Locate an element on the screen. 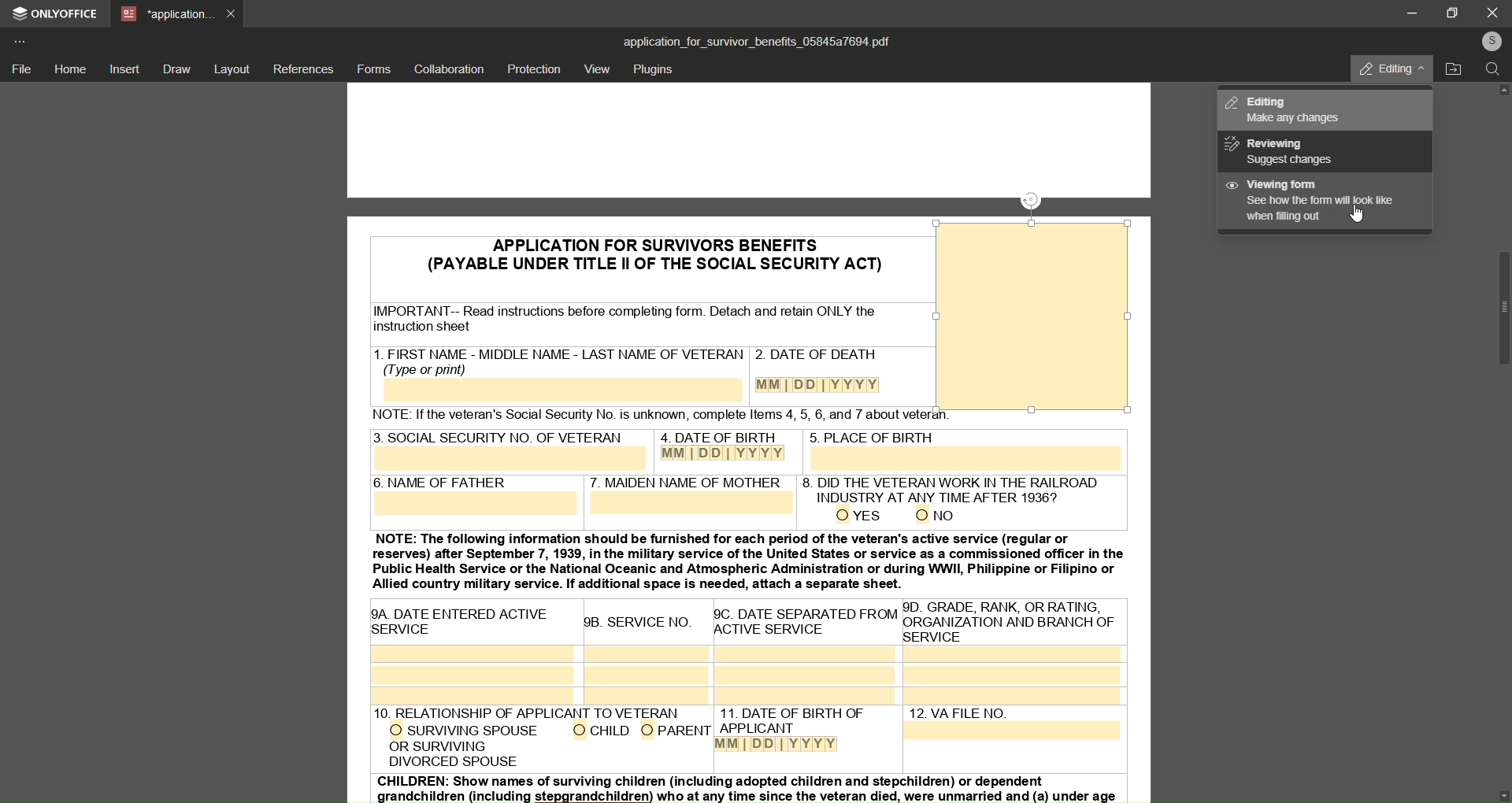 The image size is (1512, 803). PDF of application for survivors benefits is located at coordinates (750, 615).